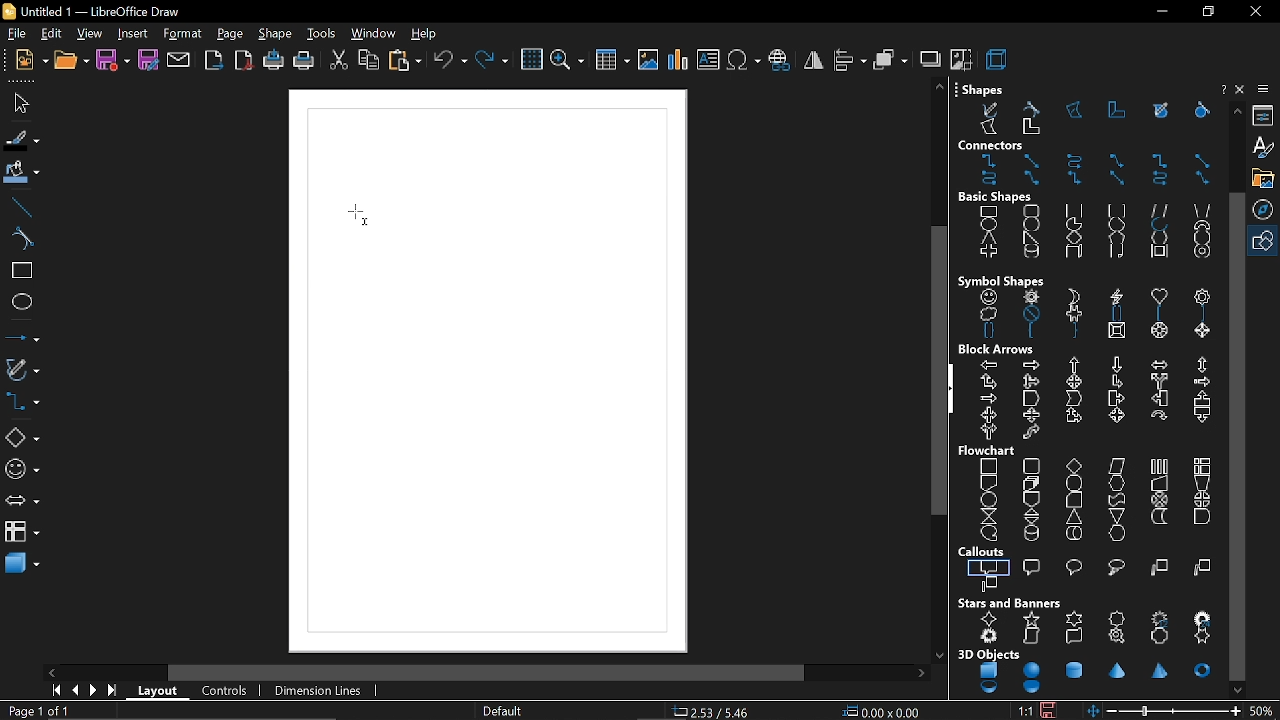 The width and height of the screenshot is (1280, 720). I want to click on straight connector, so click(1201, 161).